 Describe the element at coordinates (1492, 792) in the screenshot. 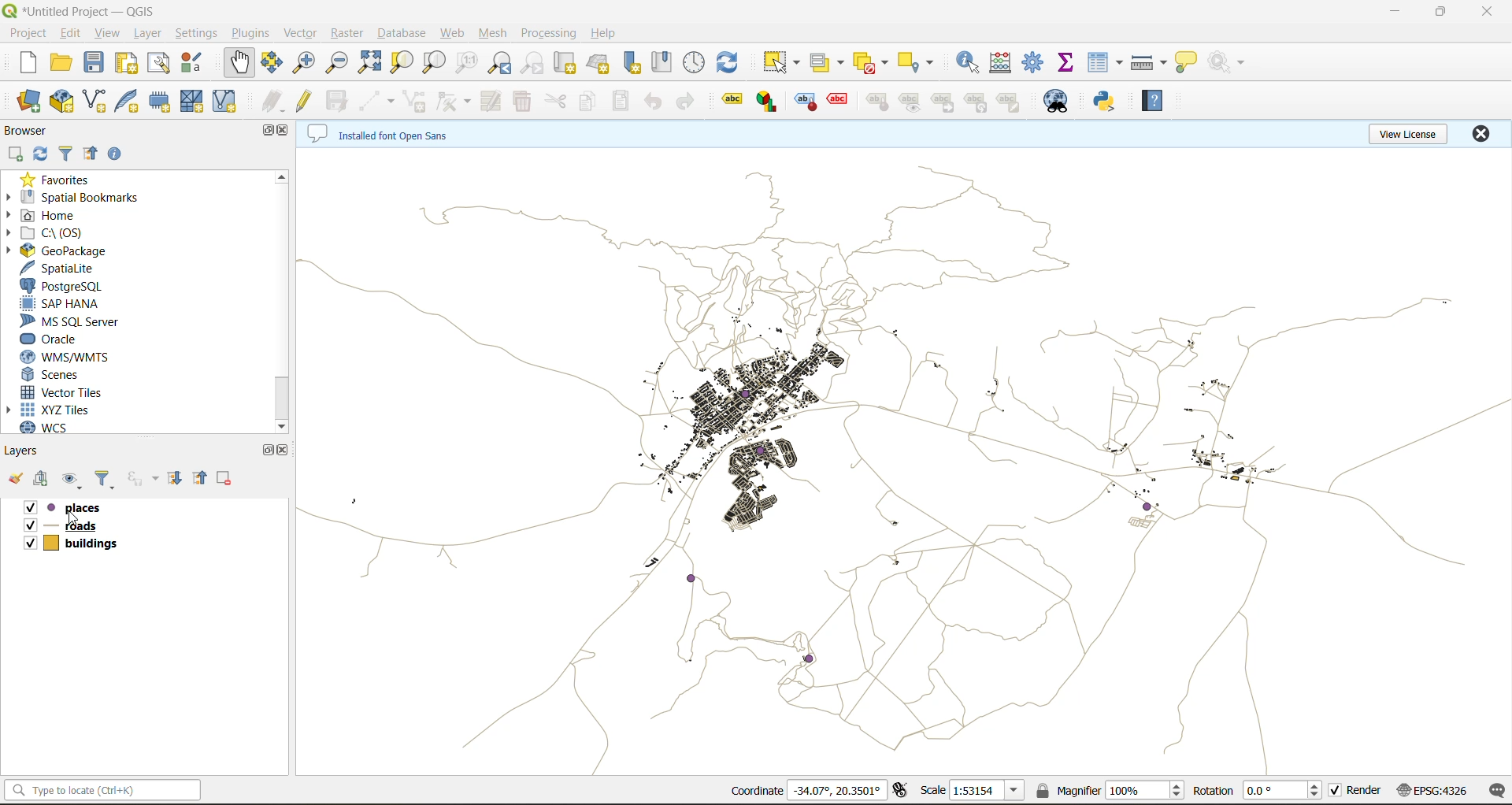

I see `log messages` at that location.